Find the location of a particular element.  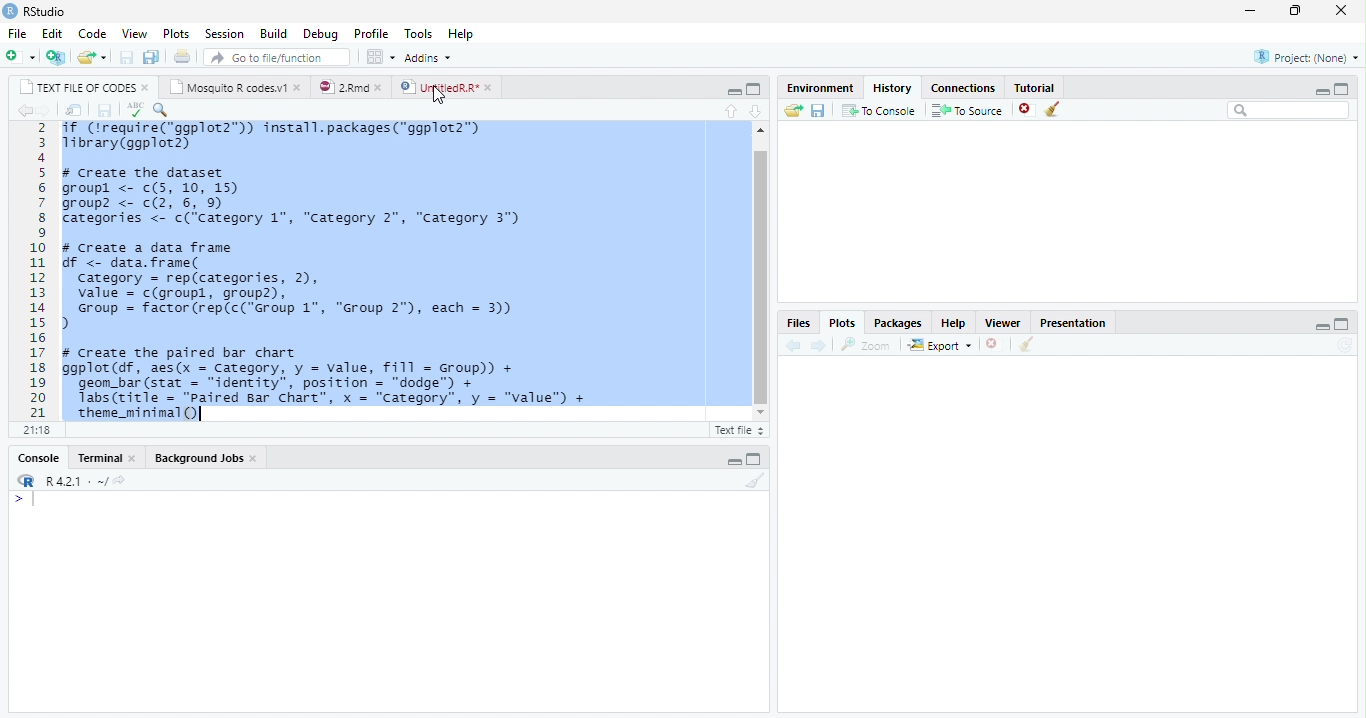

go to previous section is located at coordinates (730, 112).